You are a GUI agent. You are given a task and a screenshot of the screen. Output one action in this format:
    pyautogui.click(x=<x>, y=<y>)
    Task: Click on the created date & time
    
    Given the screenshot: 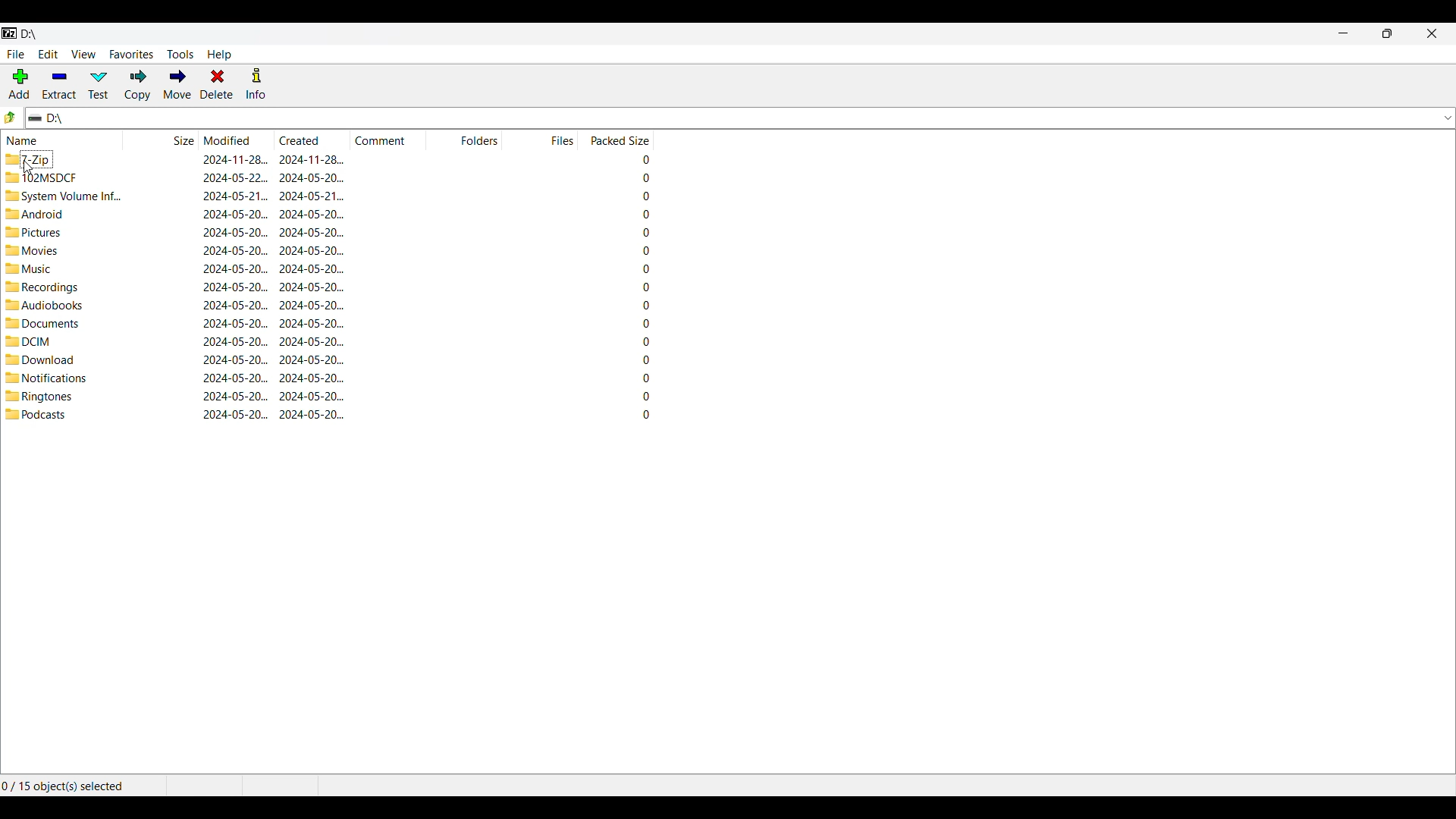 What is the action you would take?
    pyautogui.click(x=312, y=323)
    